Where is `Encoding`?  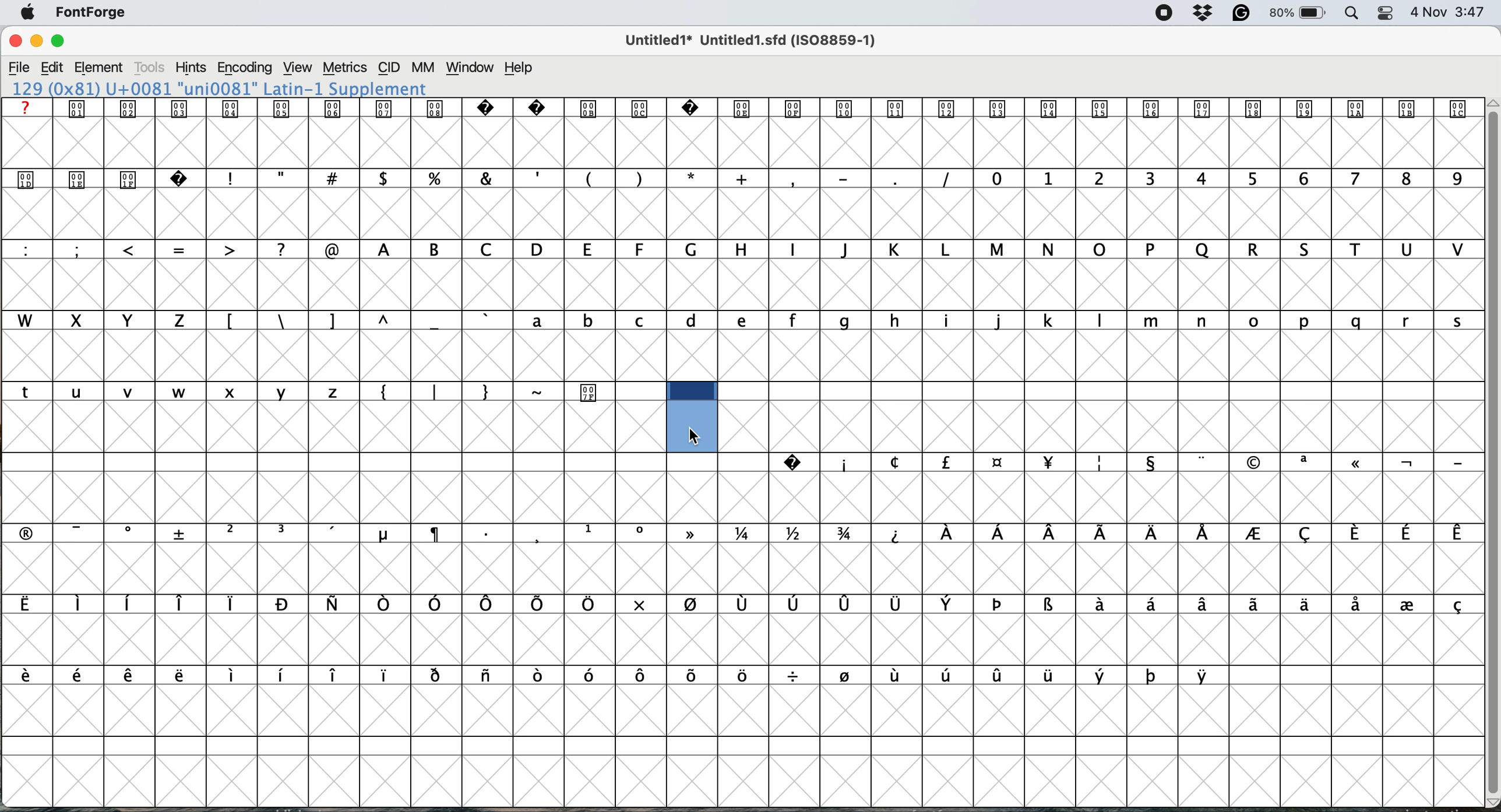
Encoding is located at coordinates (247, 68).